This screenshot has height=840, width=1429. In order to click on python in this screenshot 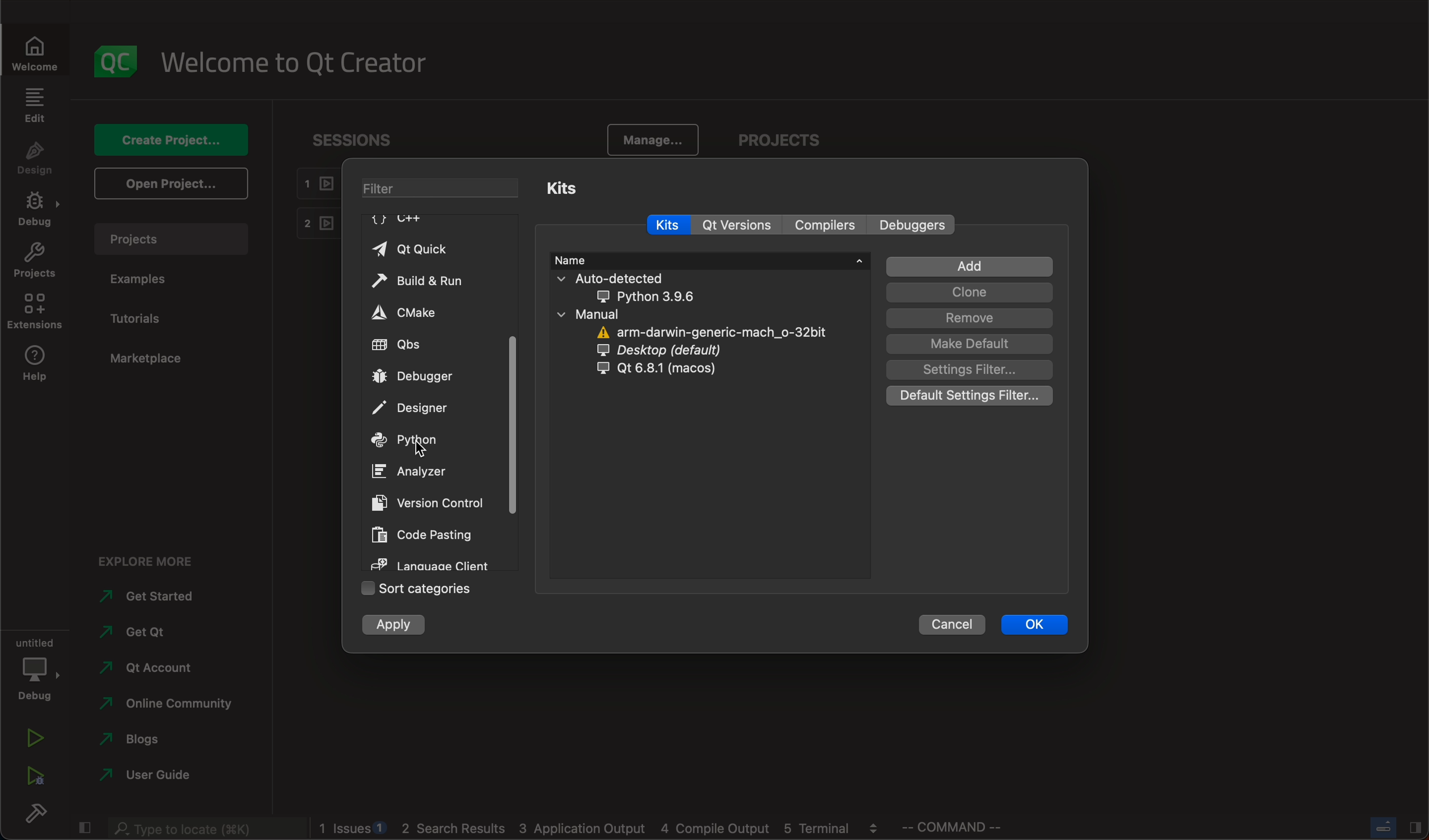, I will do `click(416, 440)`.